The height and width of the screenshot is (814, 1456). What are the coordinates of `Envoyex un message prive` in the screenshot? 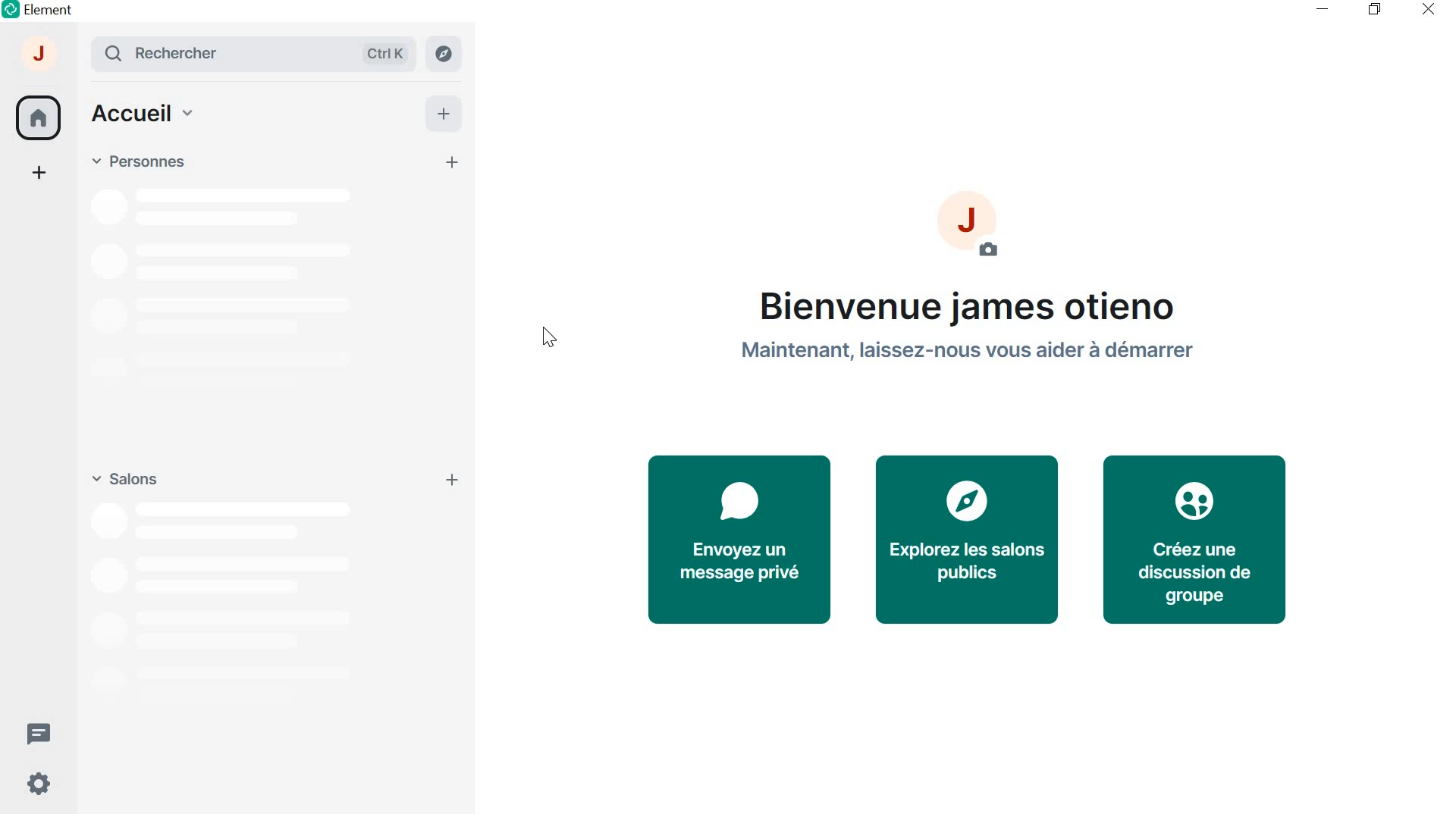 It's located at (738, 538).